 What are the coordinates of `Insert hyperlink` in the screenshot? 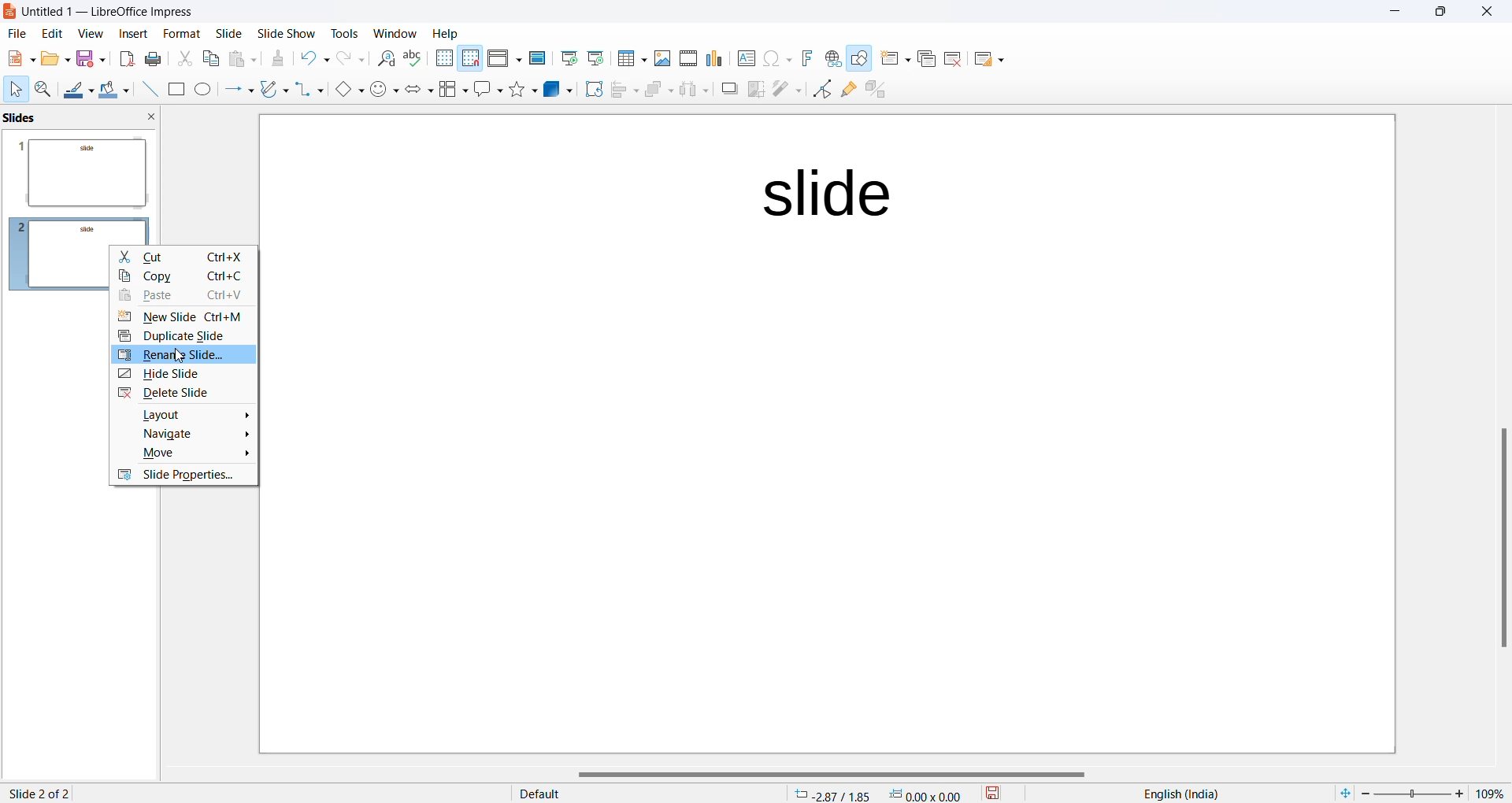 It's located at (830, 59).